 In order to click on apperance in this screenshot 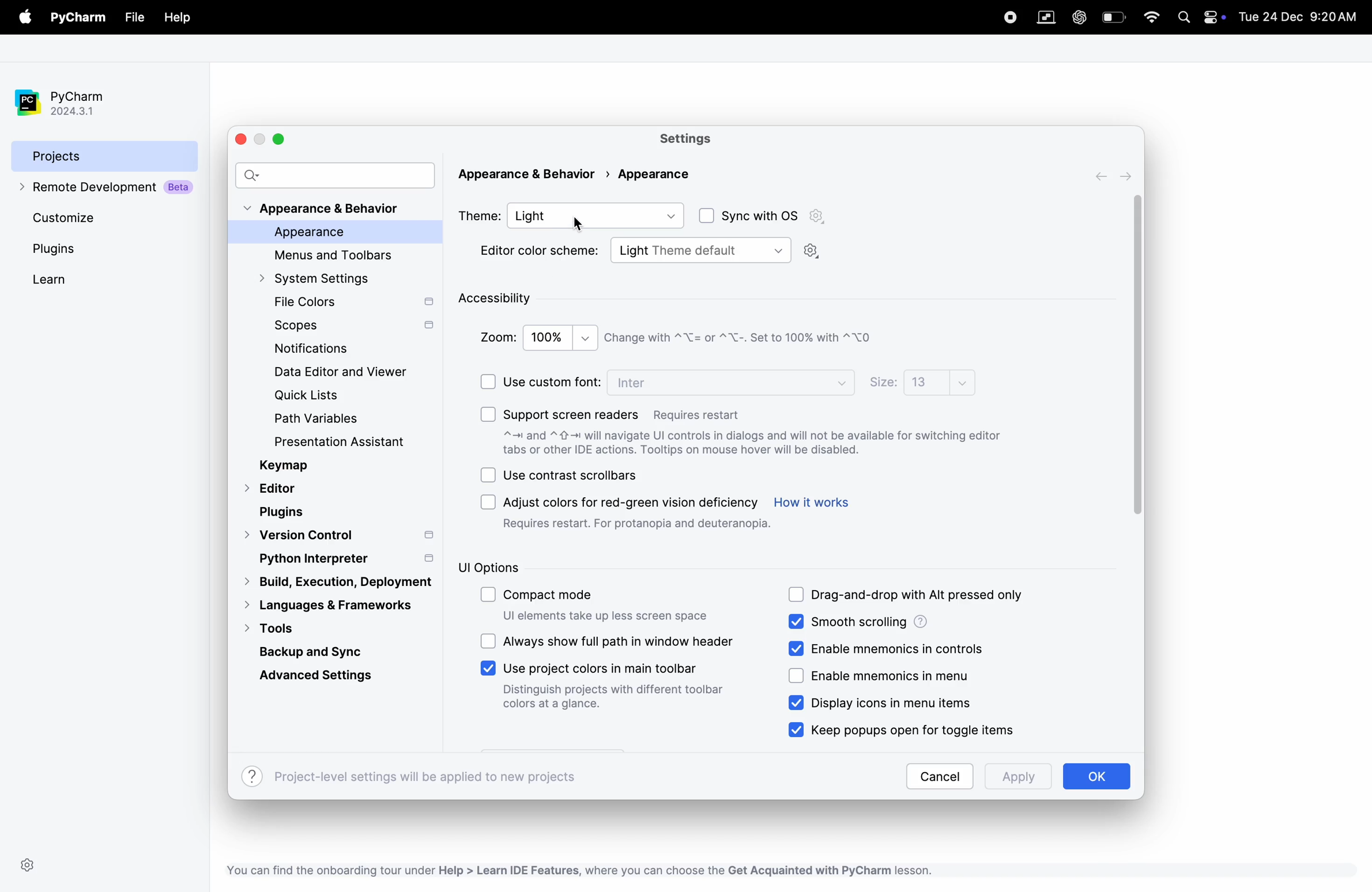, I will do `click(534, 175)`.